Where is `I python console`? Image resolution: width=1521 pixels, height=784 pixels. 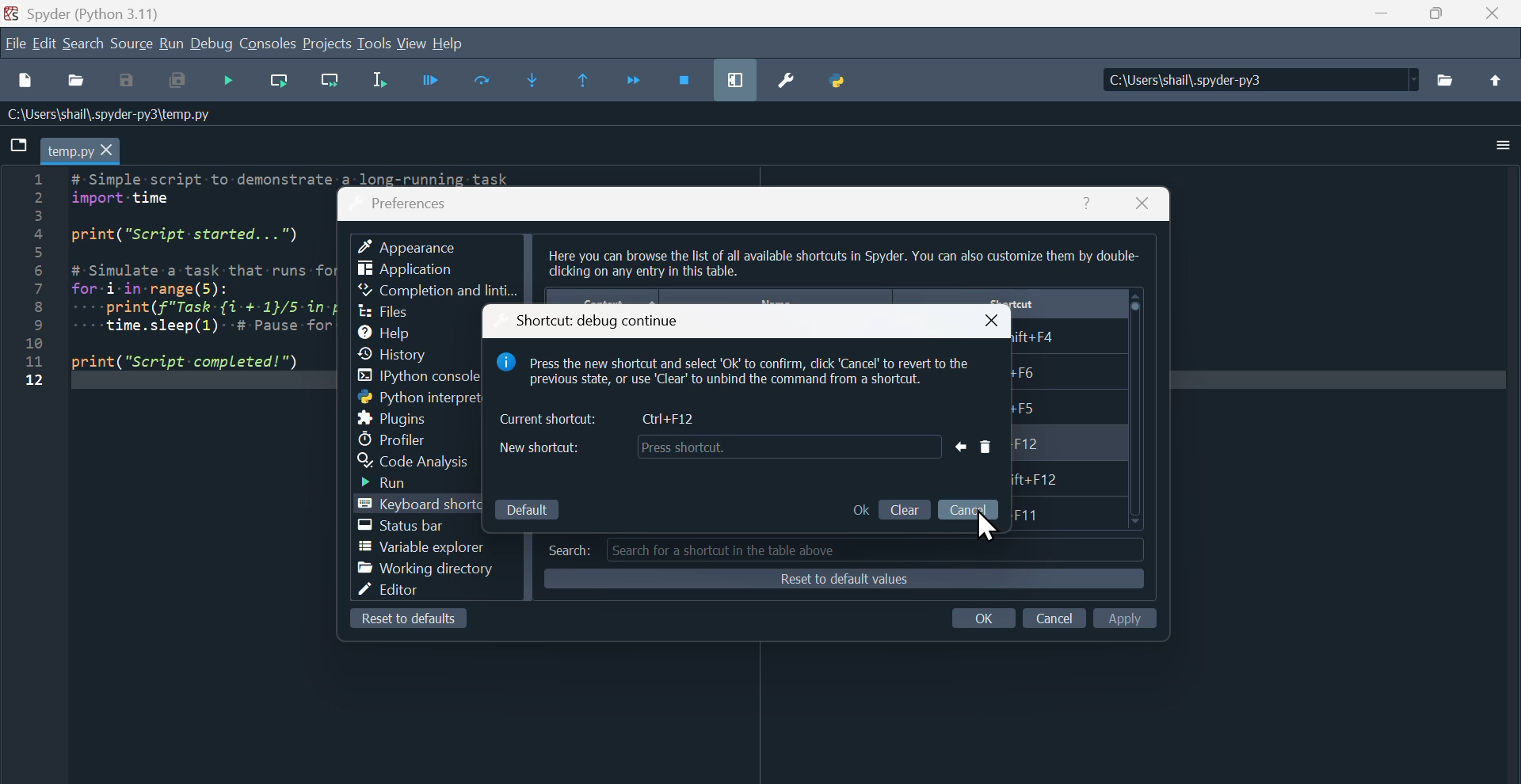 I python console is located at coordinates (406, 377).